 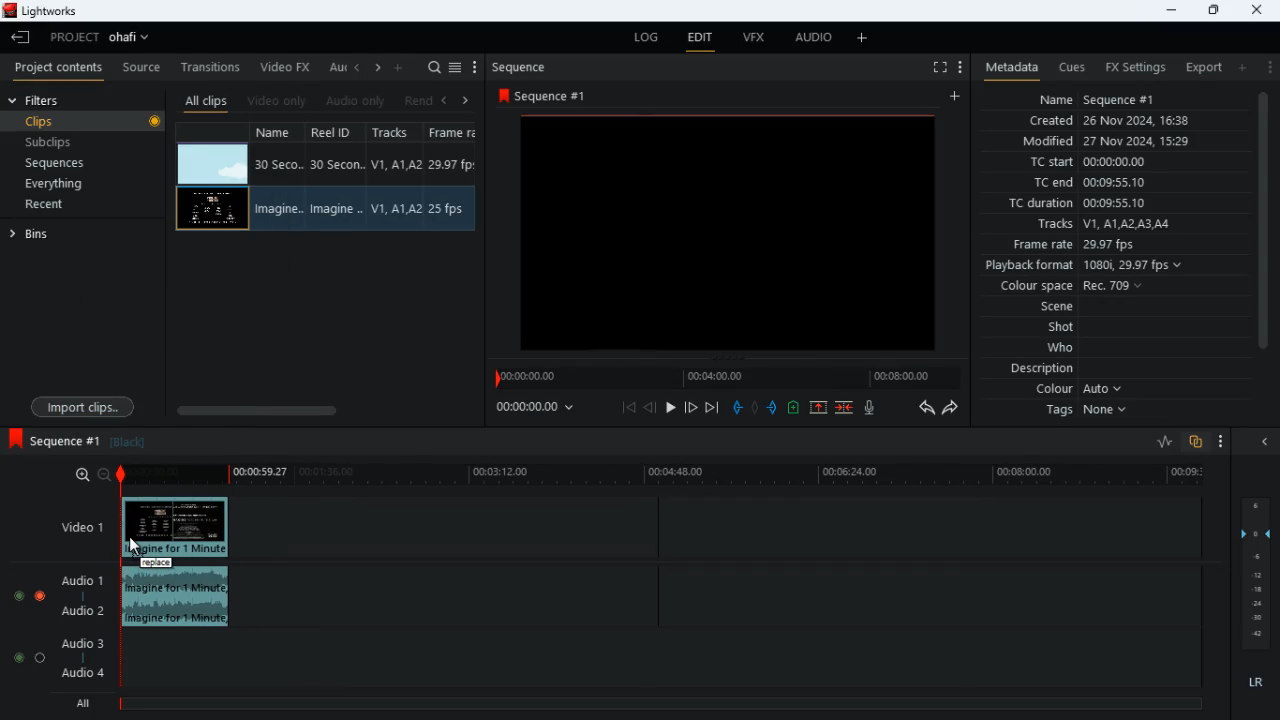 What do you see at coordinates (418, 102) in the screenshot?
I see `rend` at bounding box center [418, 102].